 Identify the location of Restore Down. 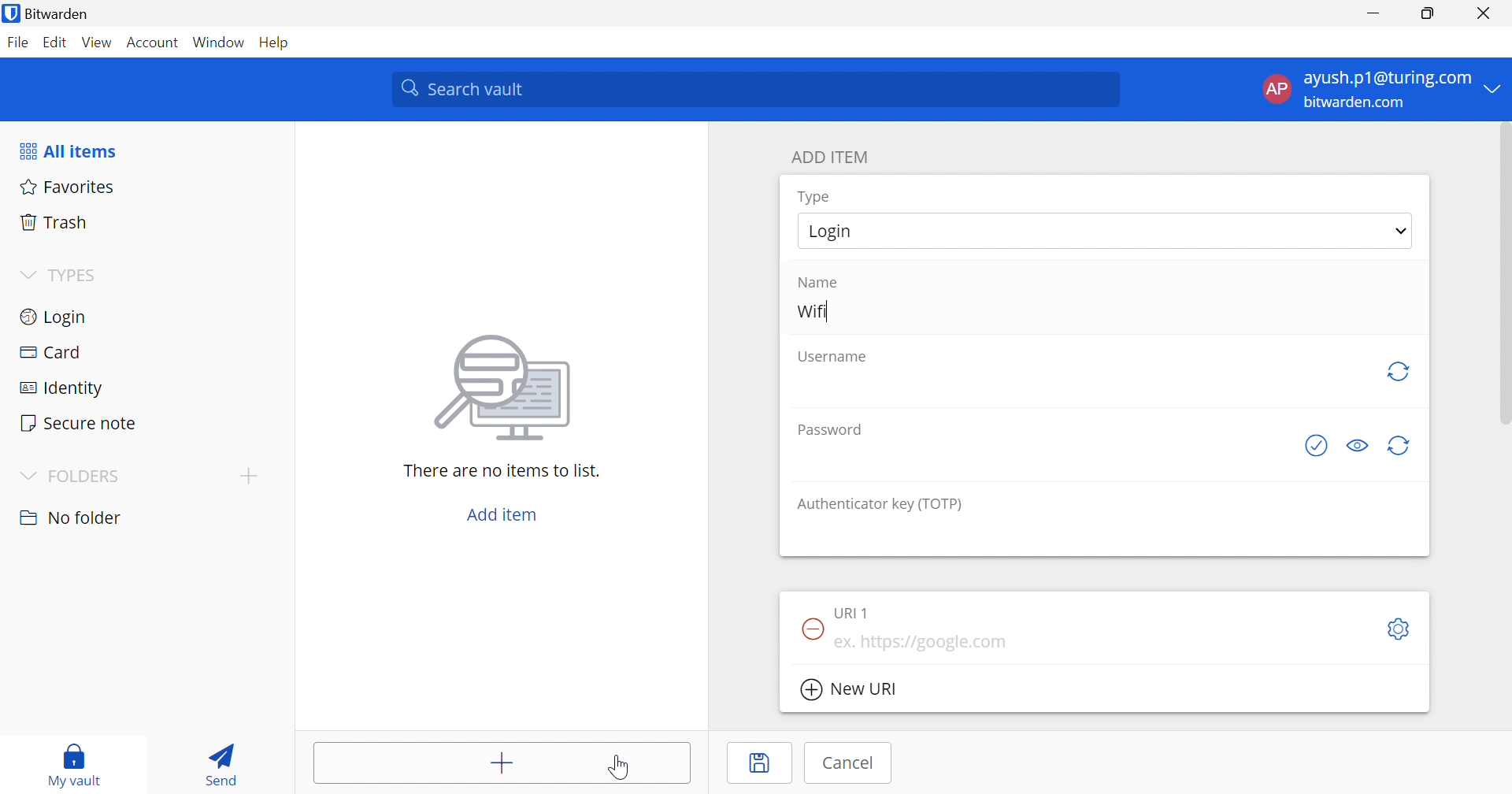
(1429, 13).